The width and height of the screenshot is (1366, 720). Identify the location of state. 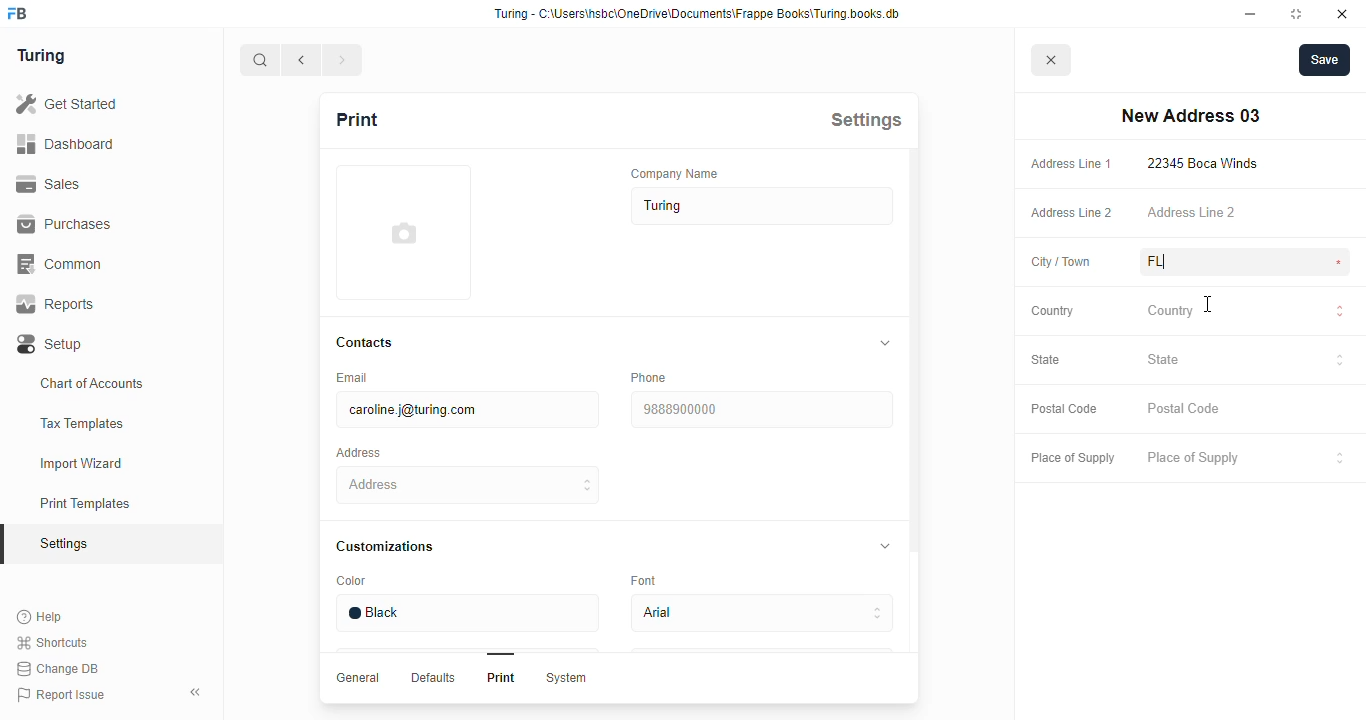
(1046, 359).